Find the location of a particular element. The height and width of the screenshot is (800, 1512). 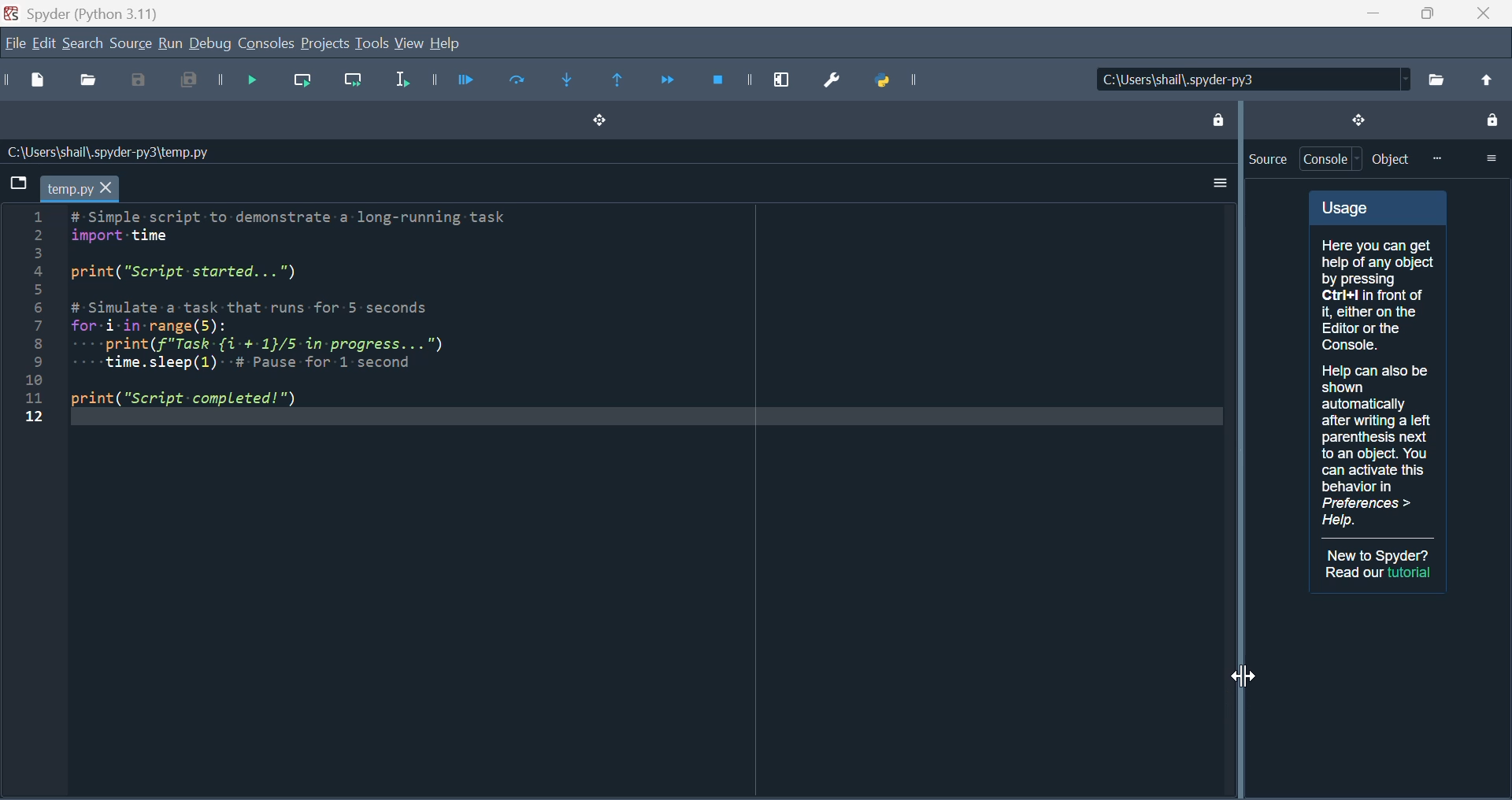

Drag and drop button is located at coordinates (597, 122).